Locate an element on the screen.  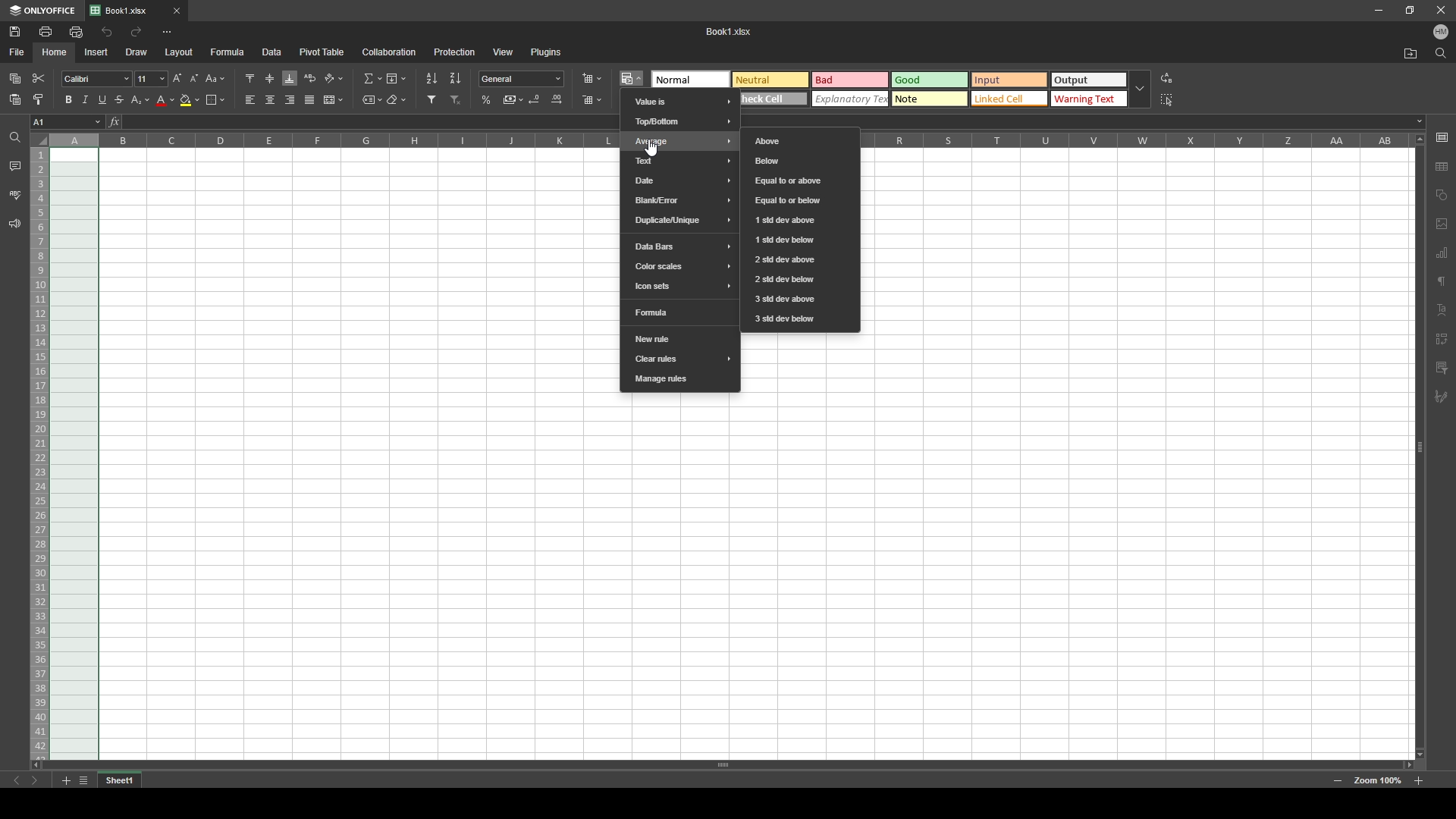
cursor is located at coordinates (644, 145).